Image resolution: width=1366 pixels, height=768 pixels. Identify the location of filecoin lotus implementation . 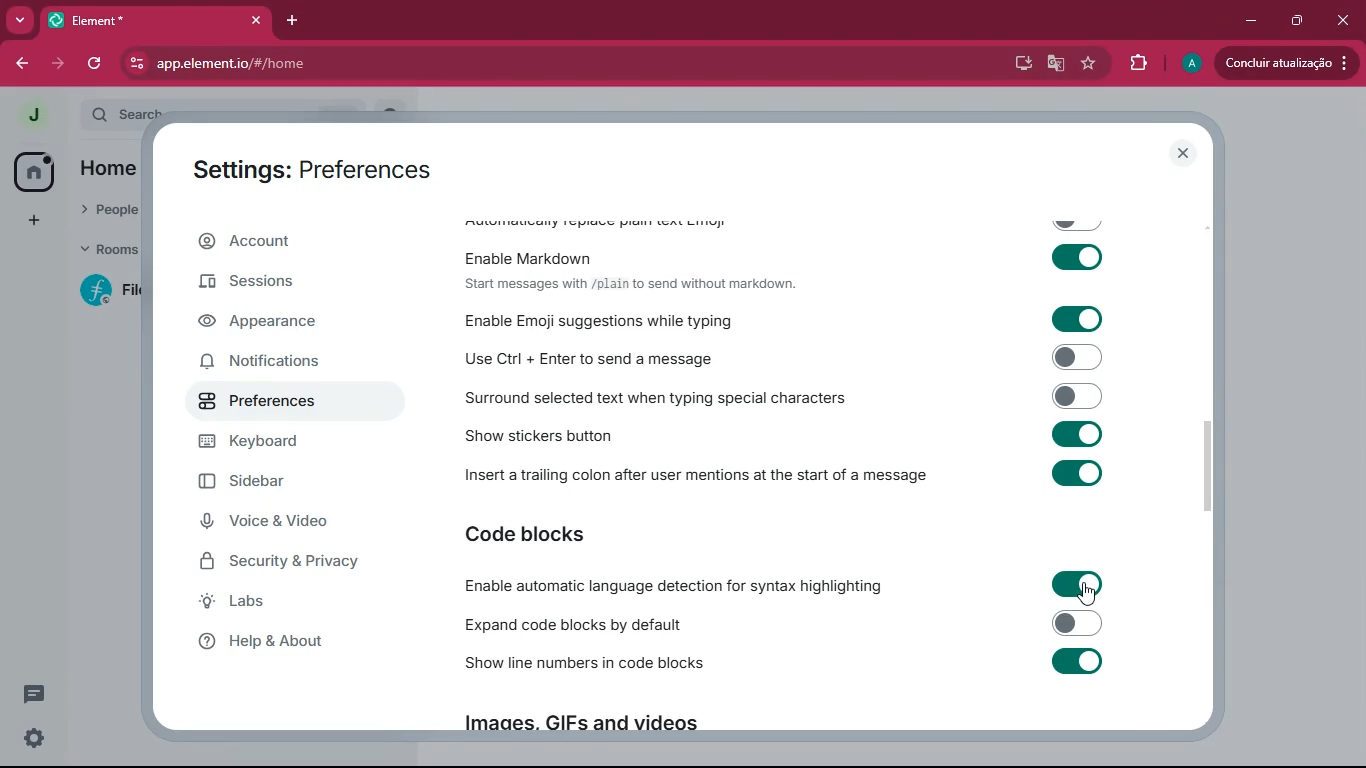
(114, 293).